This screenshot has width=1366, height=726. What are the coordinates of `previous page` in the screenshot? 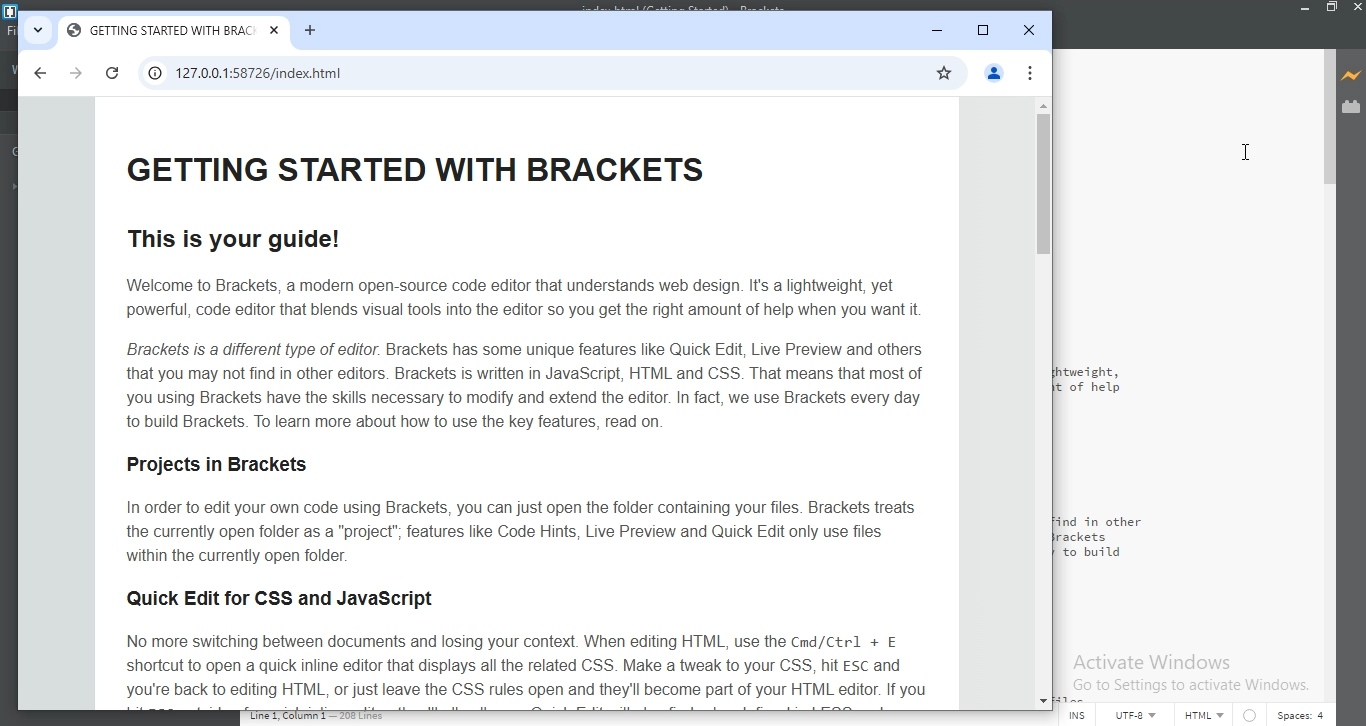 It's located at (41, 74).